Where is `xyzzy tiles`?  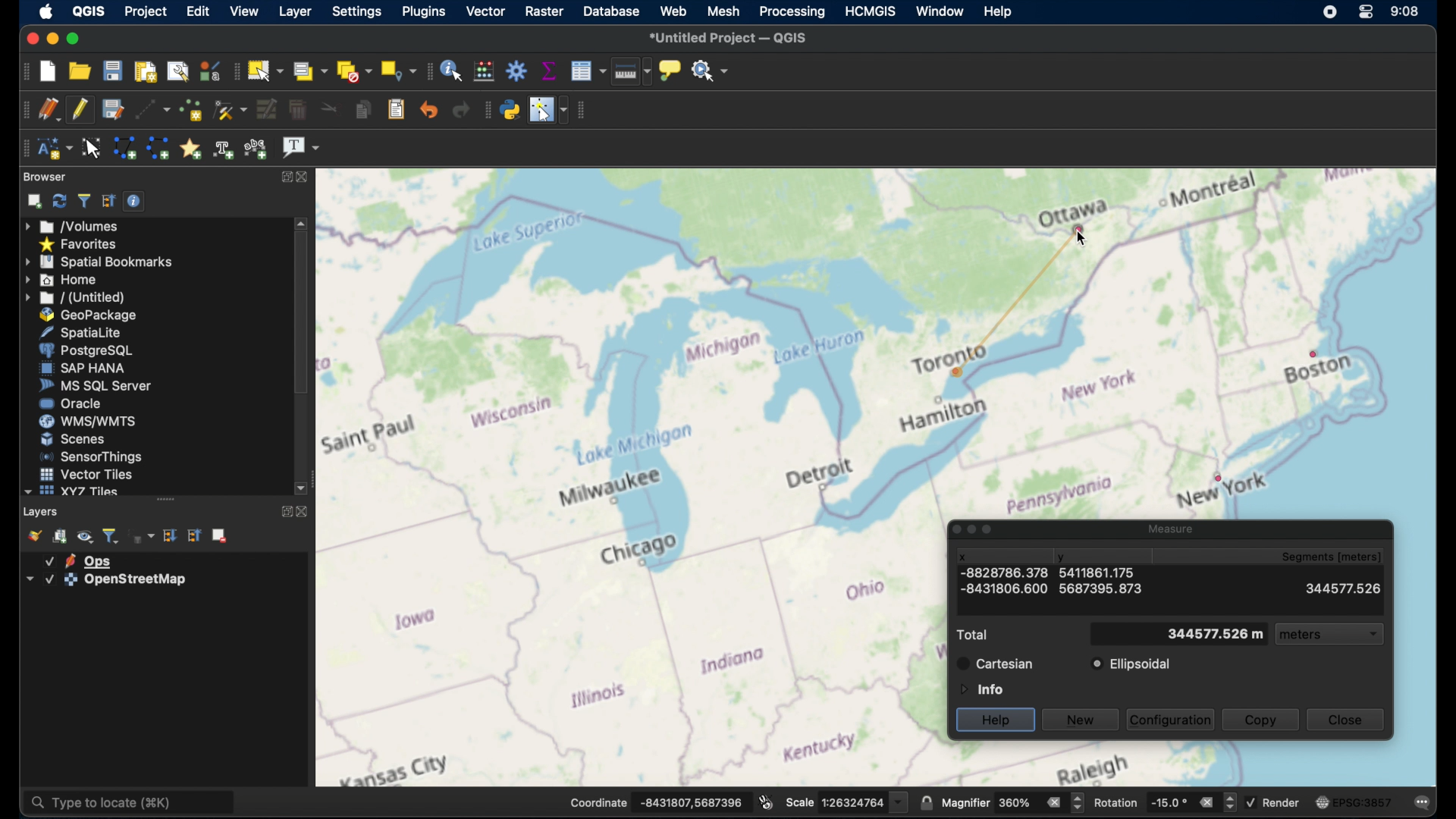 xyzzy tiles is located at coordinates (71, 491).